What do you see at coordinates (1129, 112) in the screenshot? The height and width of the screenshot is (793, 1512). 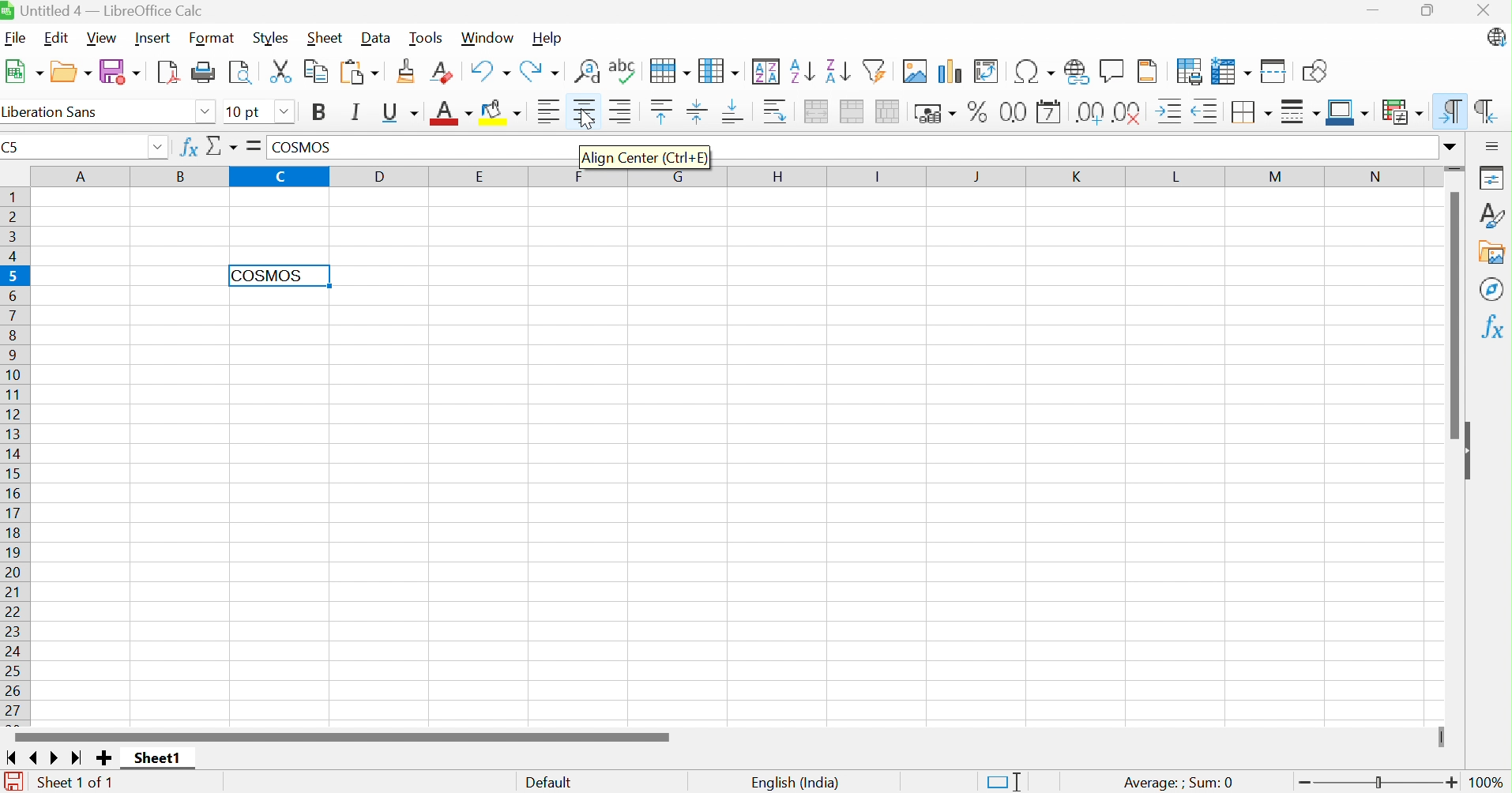 I see `Delete Decimal Place` at bounding box center [1129, 112].